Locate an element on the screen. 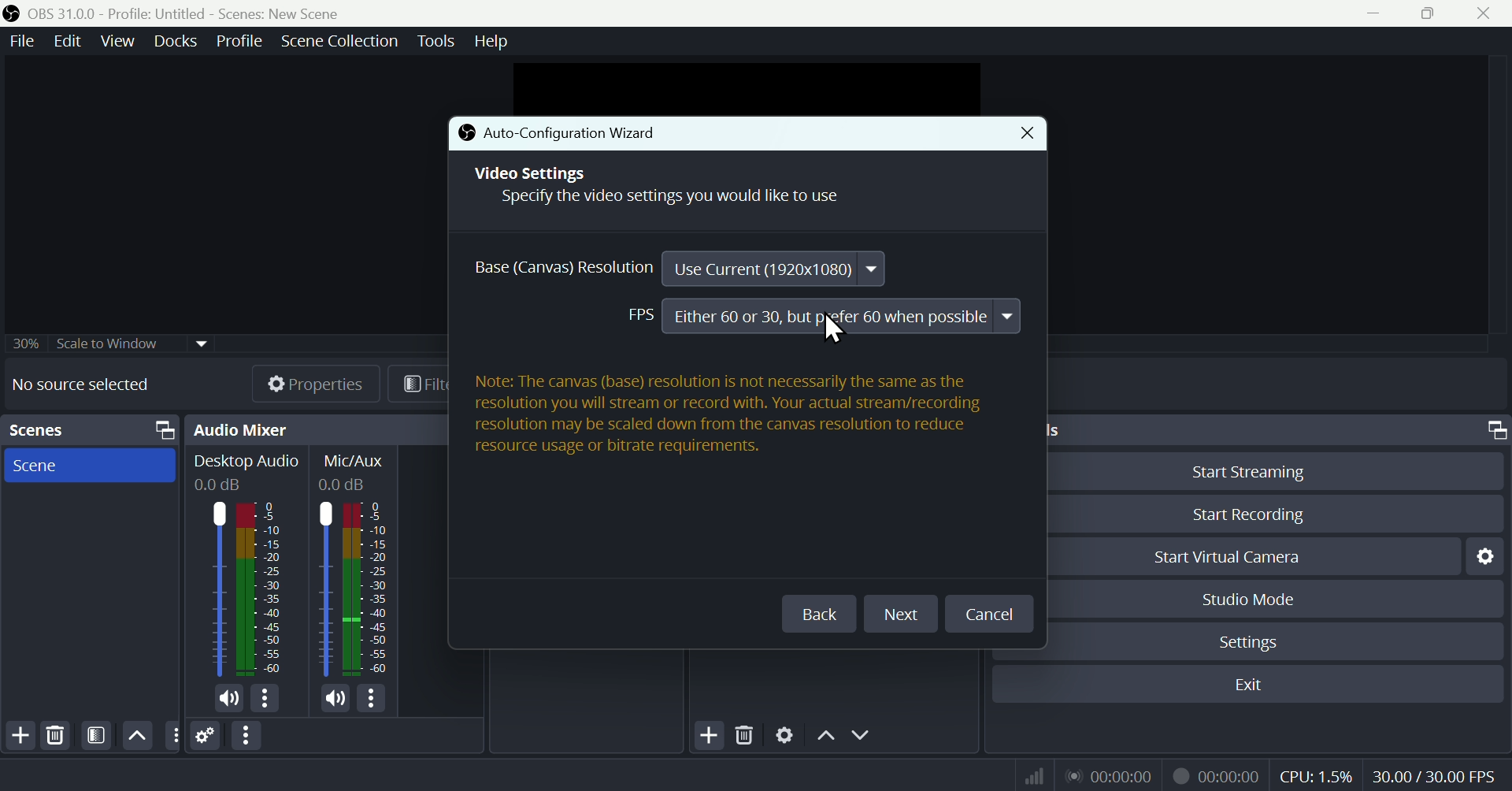 This screenshot has height=791, width=1512. Add is located at coordinates (19, 736).